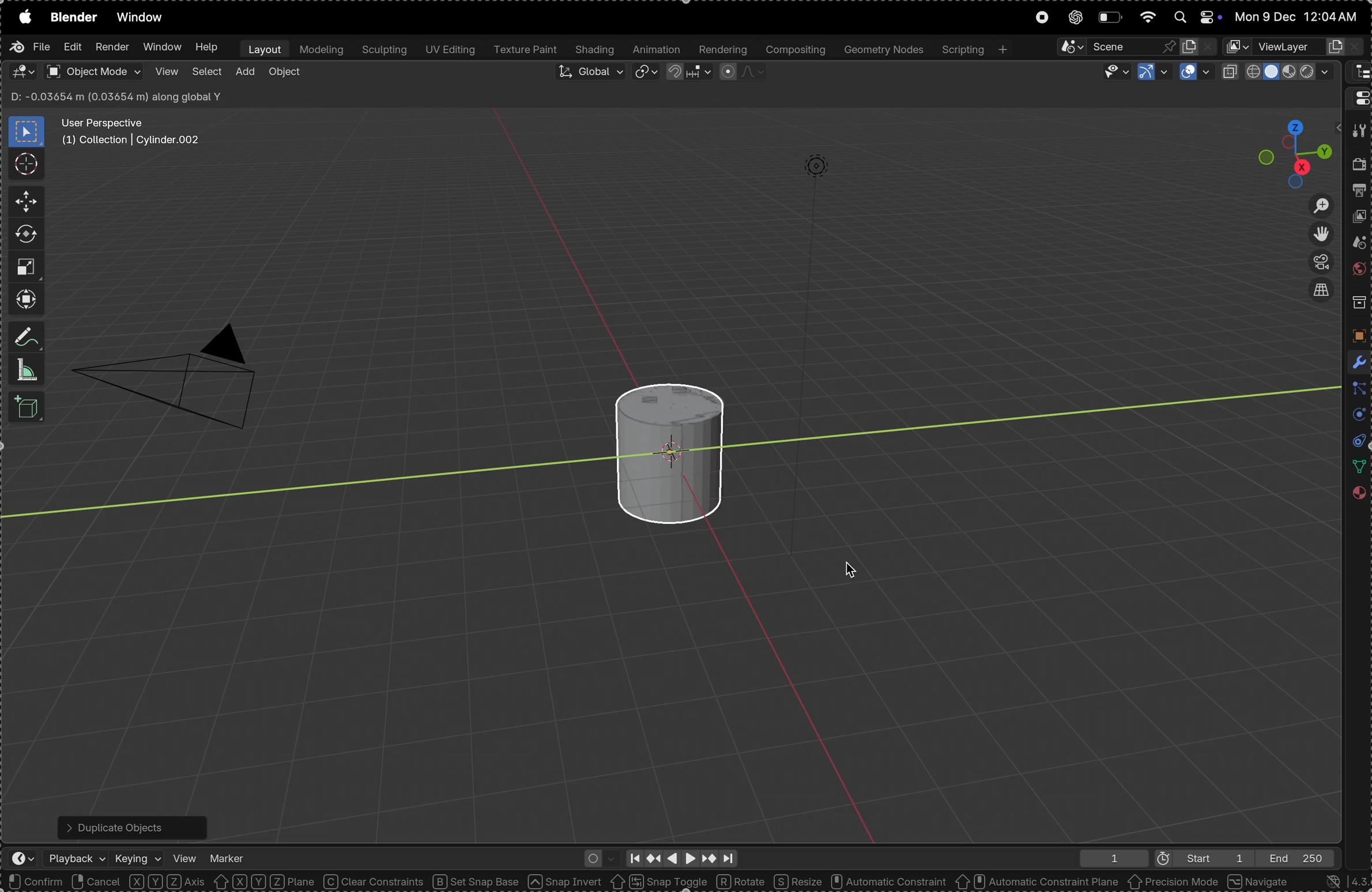  Describe the element at coordinates (244, 73) in the screenshot. I see `add` at that location.